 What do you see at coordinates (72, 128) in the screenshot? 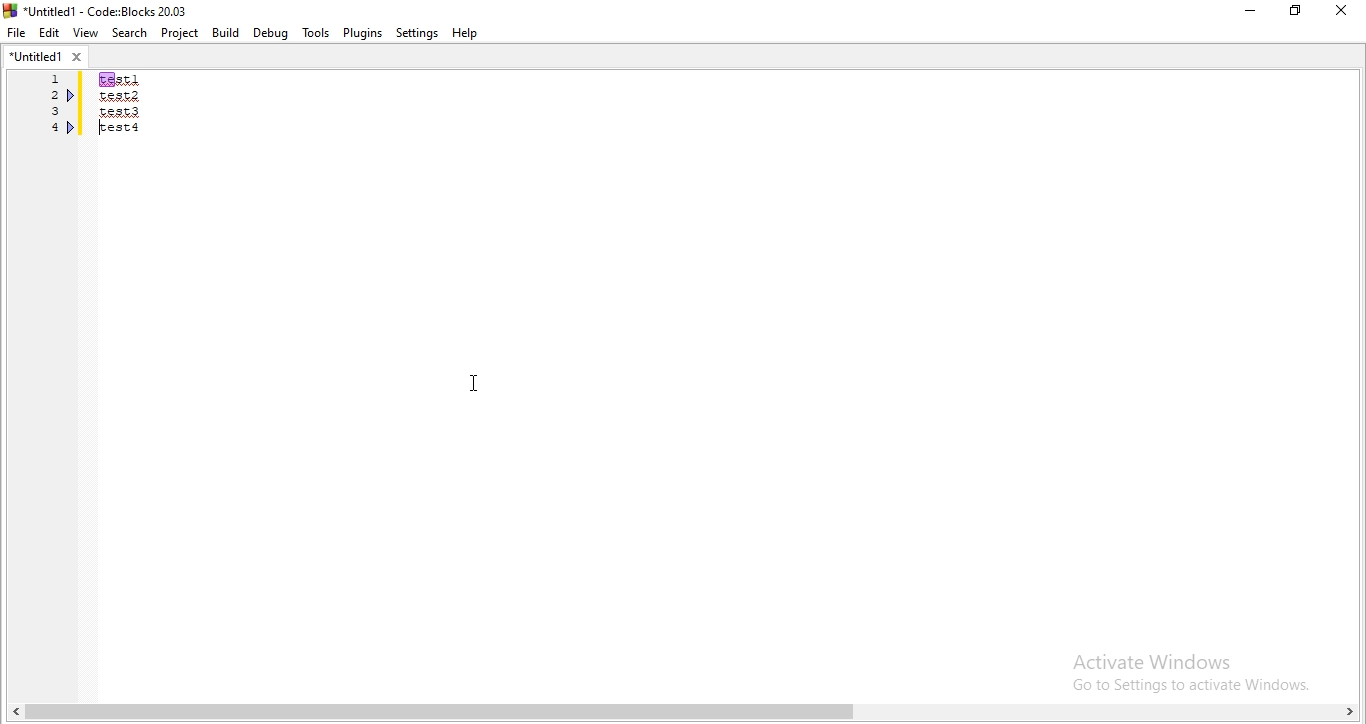
I see `bookmark` at bounding box center [72, 128].